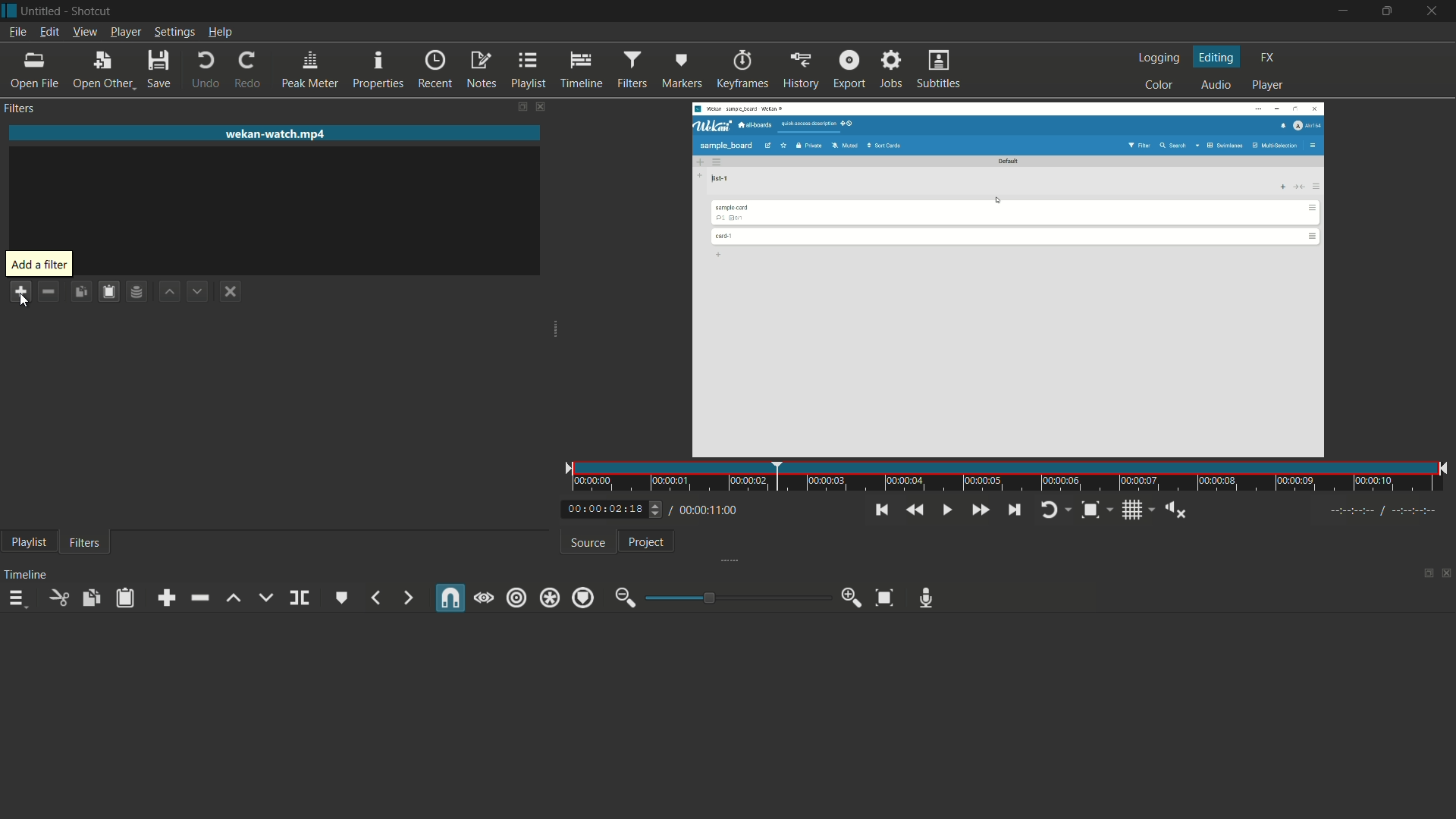 This screenshot has height=819, width=1456. I want to click on playlist, so click(30, 542).